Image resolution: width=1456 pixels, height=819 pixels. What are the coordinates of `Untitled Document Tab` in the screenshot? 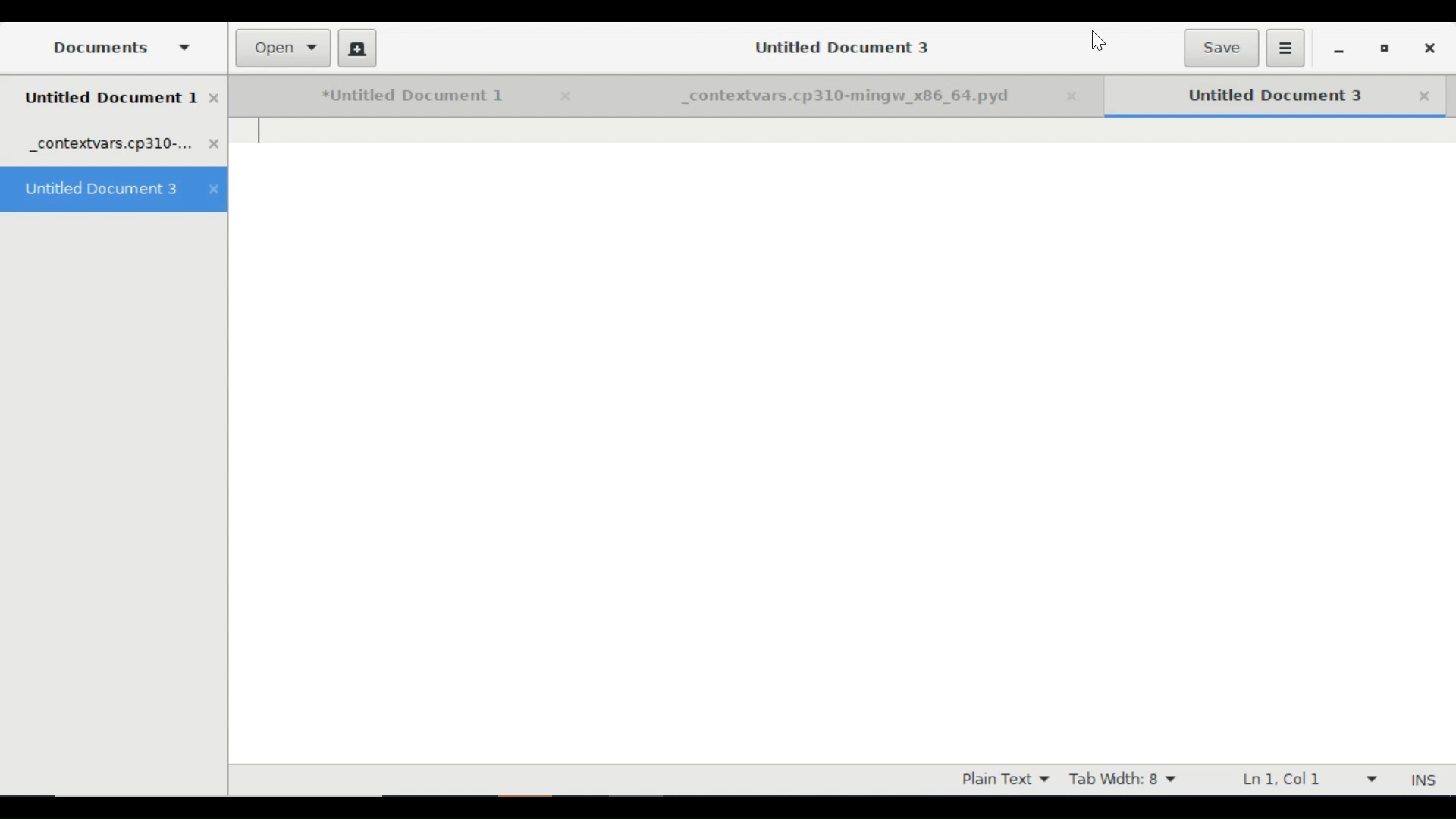 It's located at (1255, 96).